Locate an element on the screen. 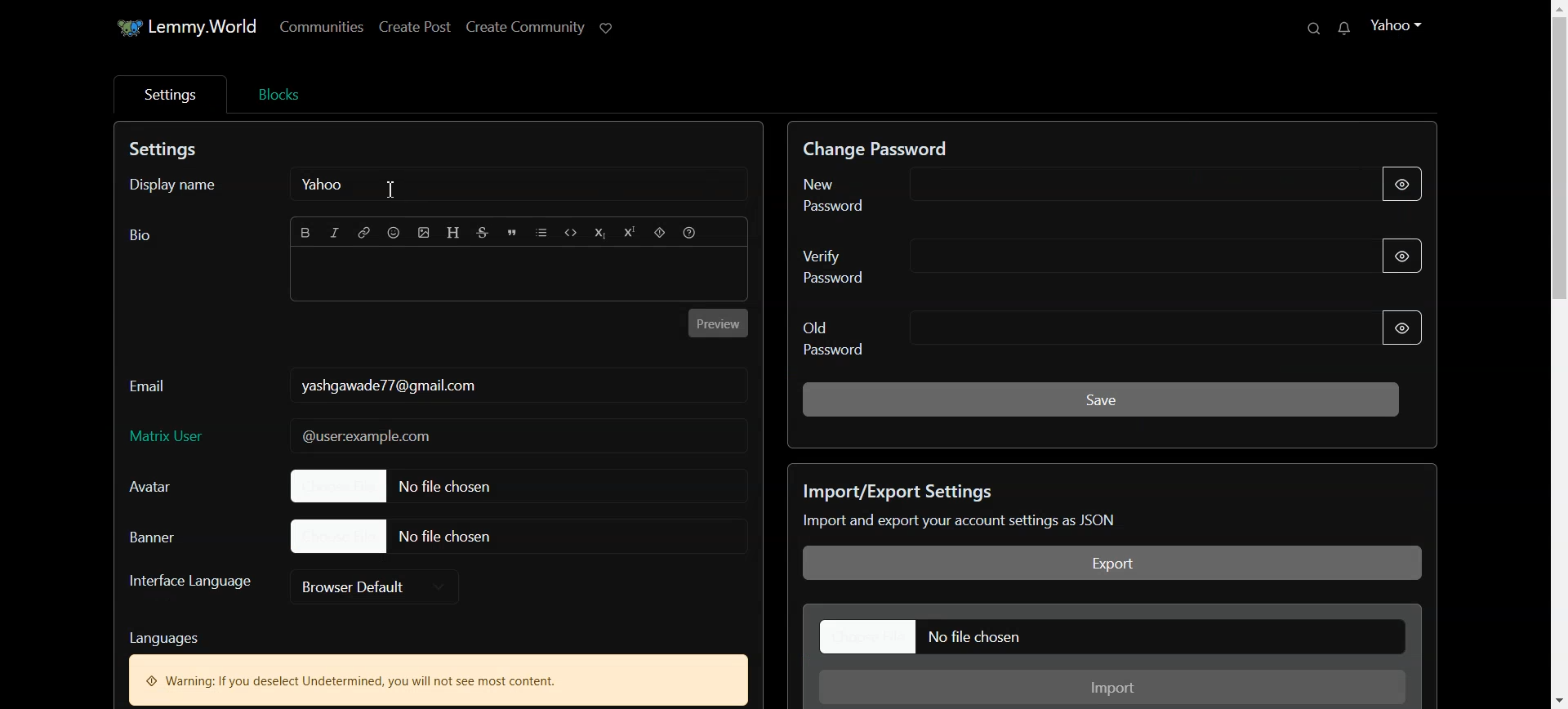 This screenshot has height=709, width=1568. Text is located at coordinates (438, 664).